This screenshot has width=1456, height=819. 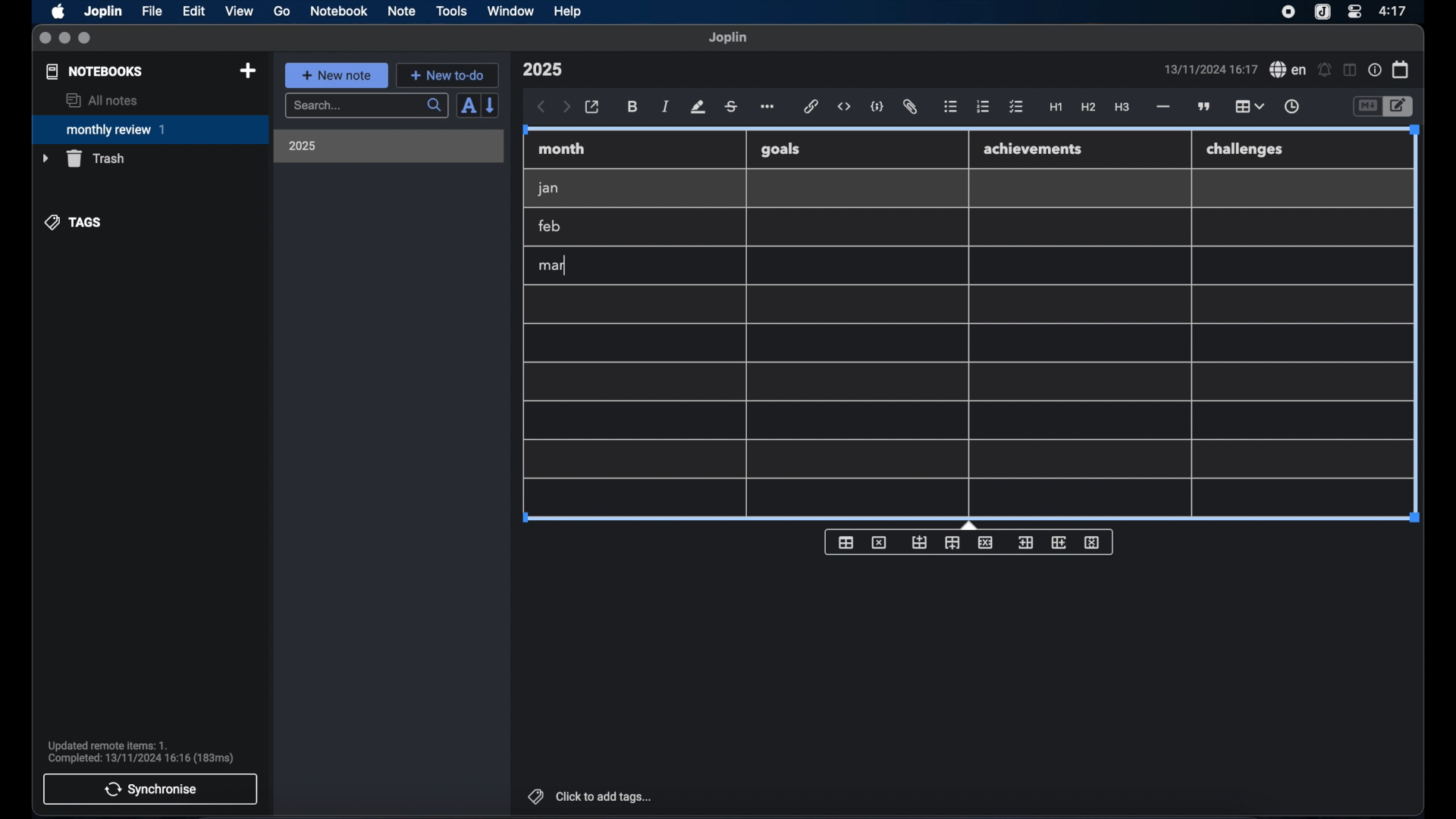 I want to click on go, so click(x=282, y=11).